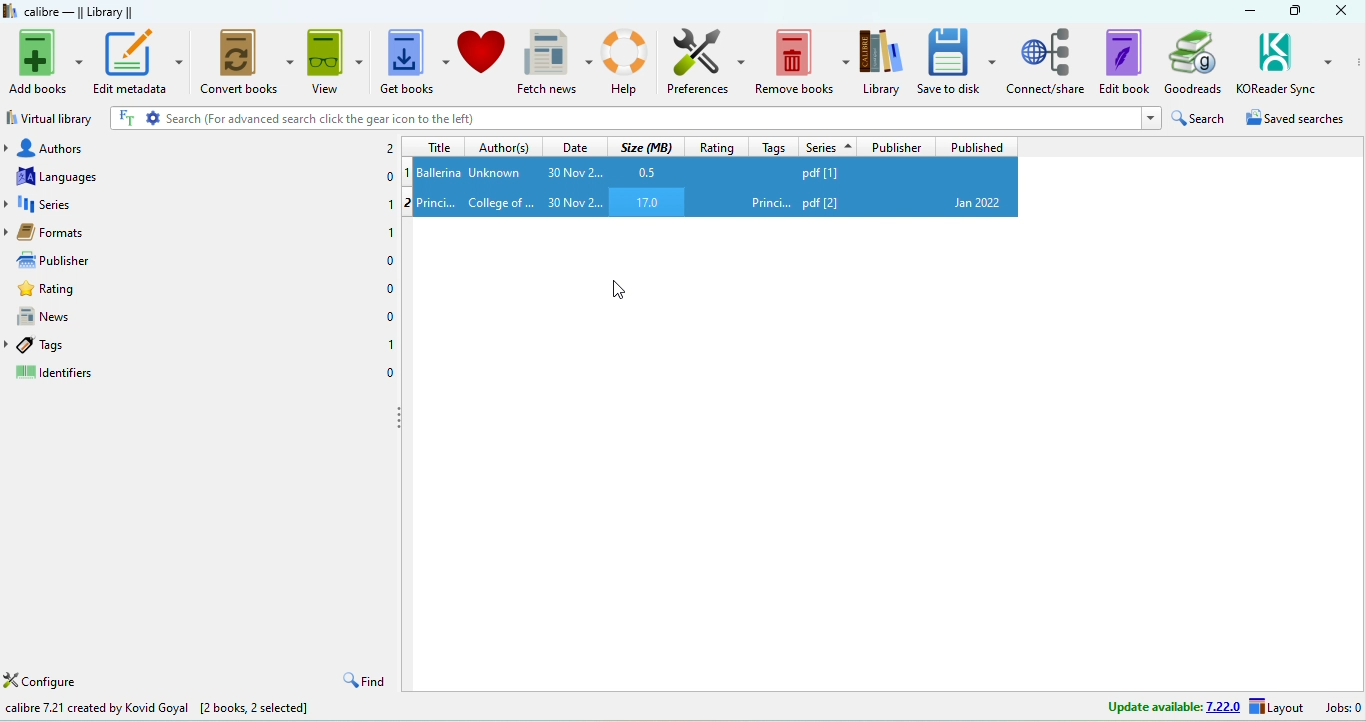 The image size is (1366, 722). Describe the element at coordinates (975, 146) in the screenshot. I see `published` at that location.